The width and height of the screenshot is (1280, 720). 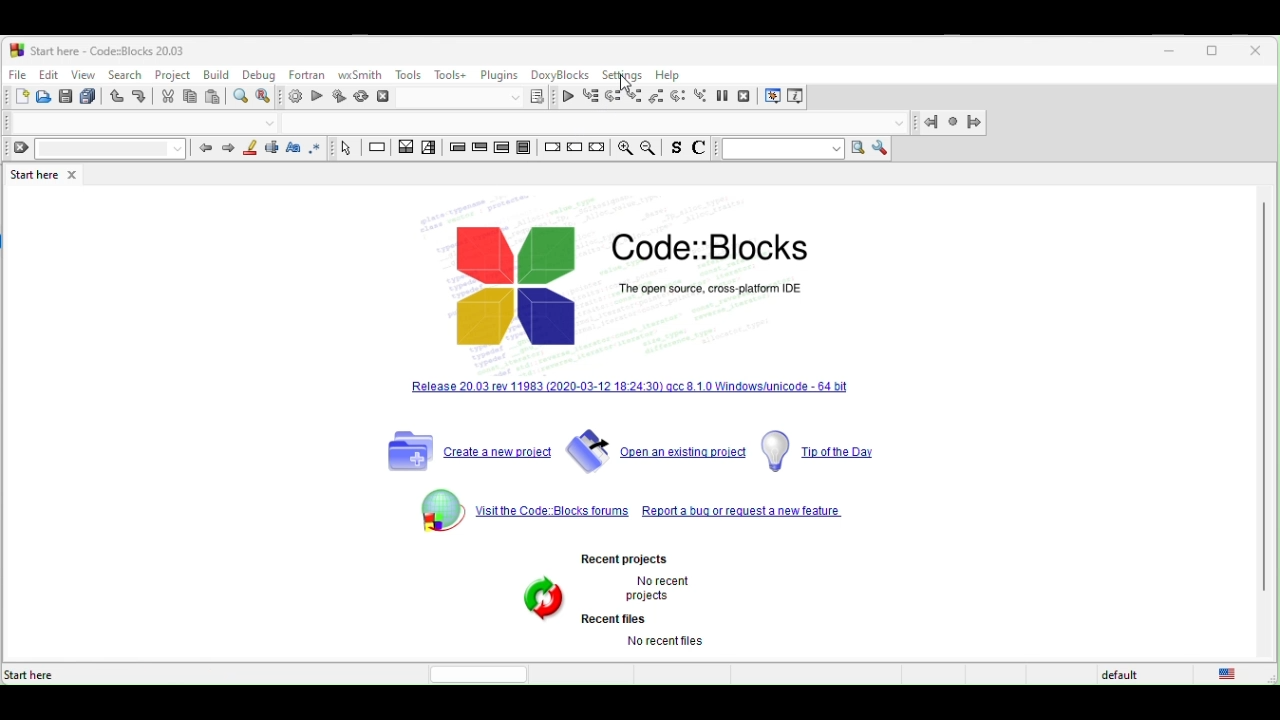 I want to click on zoom out, so click(x=649, y=149).